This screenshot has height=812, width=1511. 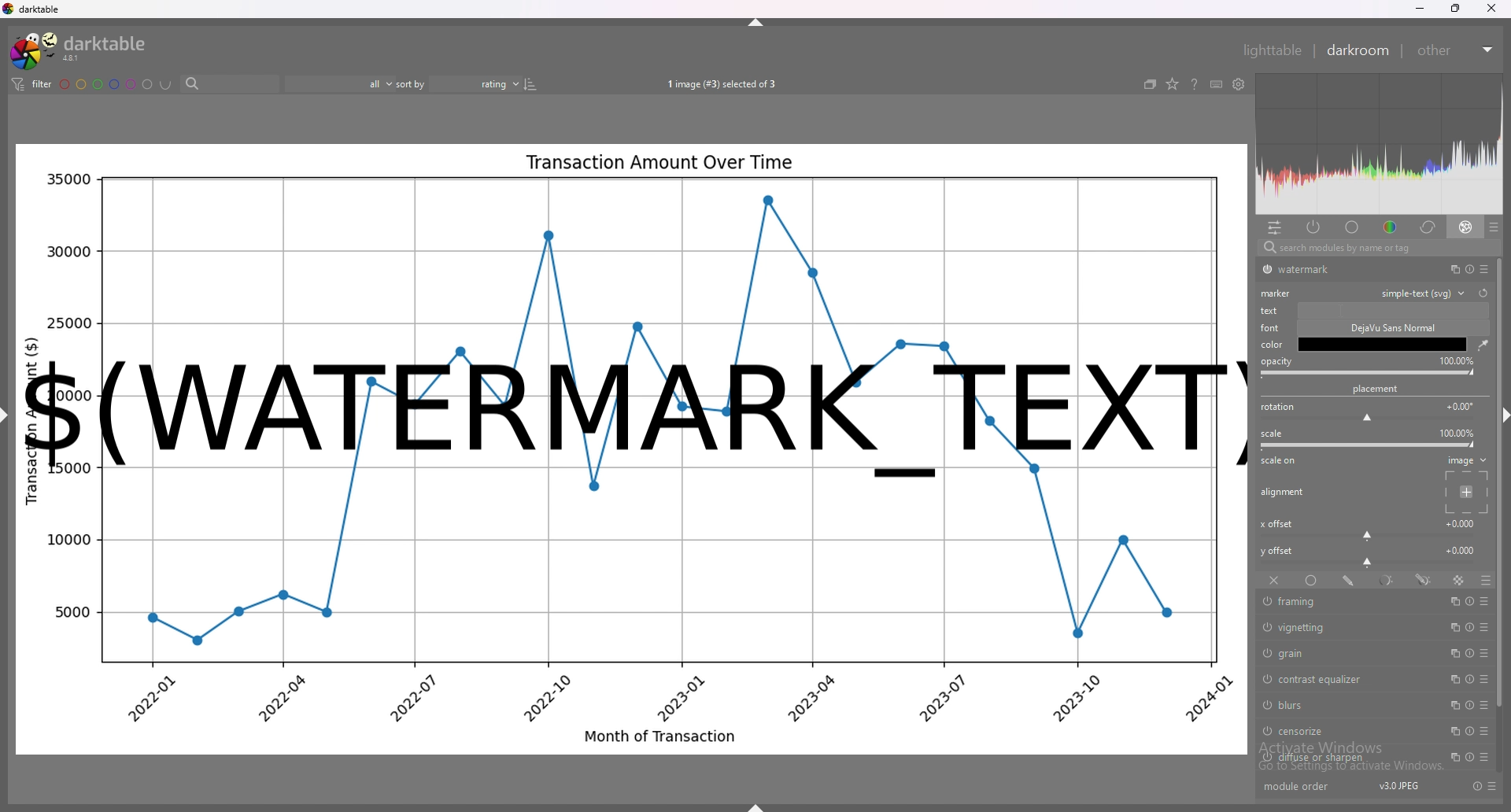 What do you see at coordinates (1470, 731) in the screenshot?
I see `reset` at bounding box center [1470, 731].